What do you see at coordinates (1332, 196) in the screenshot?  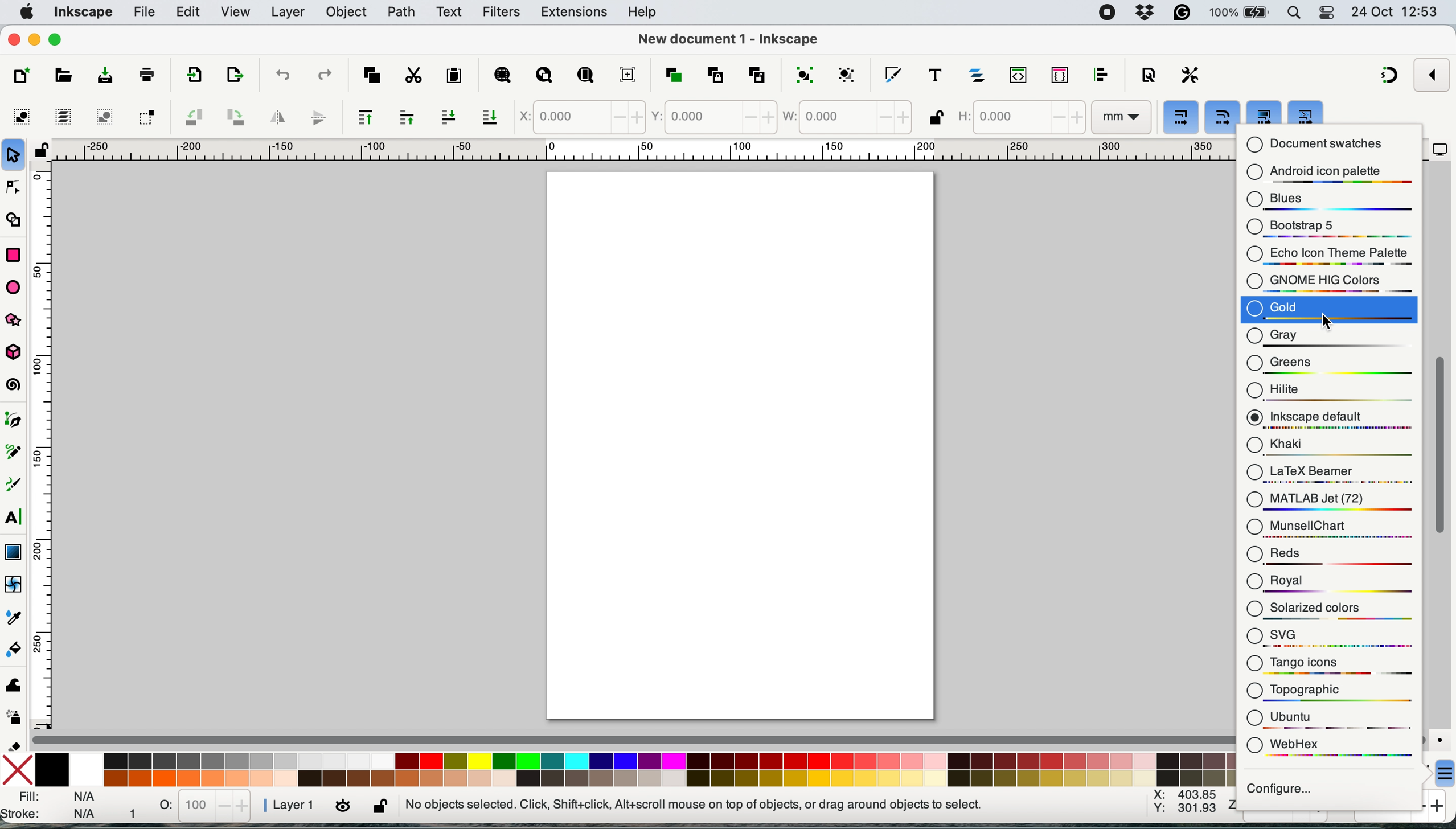 I see `blues` at bounding box center [1332, 196].